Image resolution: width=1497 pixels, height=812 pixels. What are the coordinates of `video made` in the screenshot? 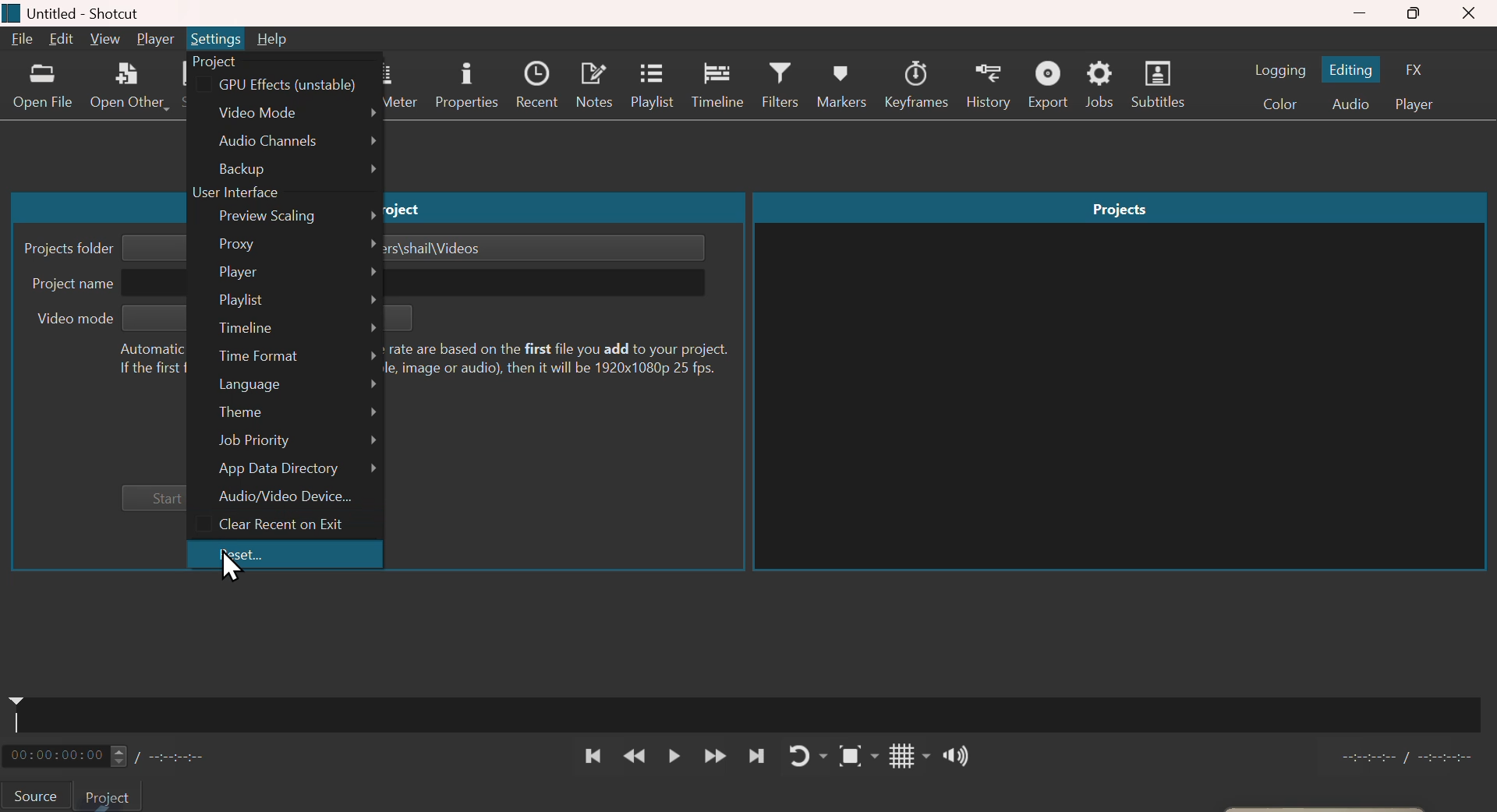 It's located at (69, 320).